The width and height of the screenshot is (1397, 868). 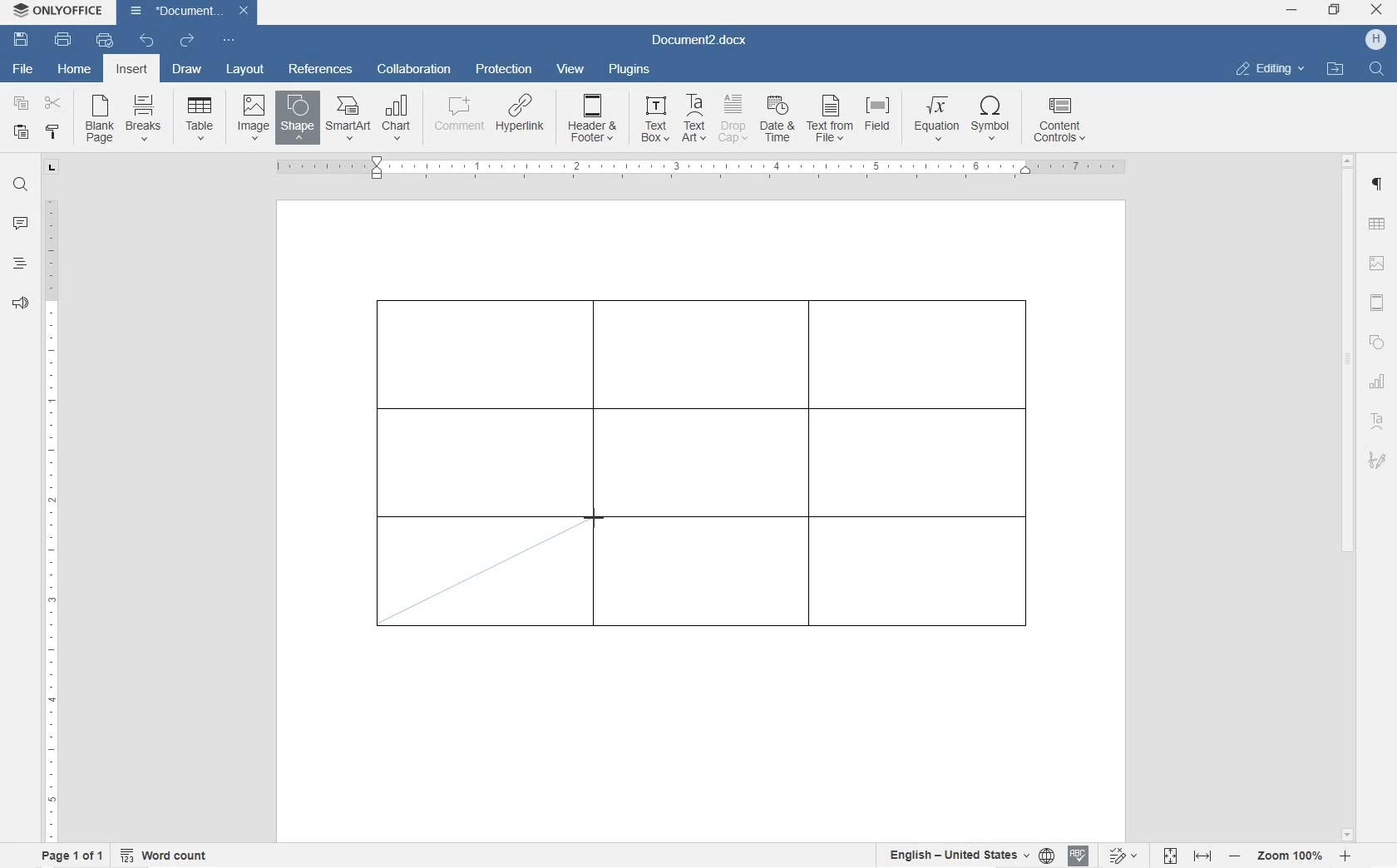 I want to click on textart, so click(x=1376, y=418).